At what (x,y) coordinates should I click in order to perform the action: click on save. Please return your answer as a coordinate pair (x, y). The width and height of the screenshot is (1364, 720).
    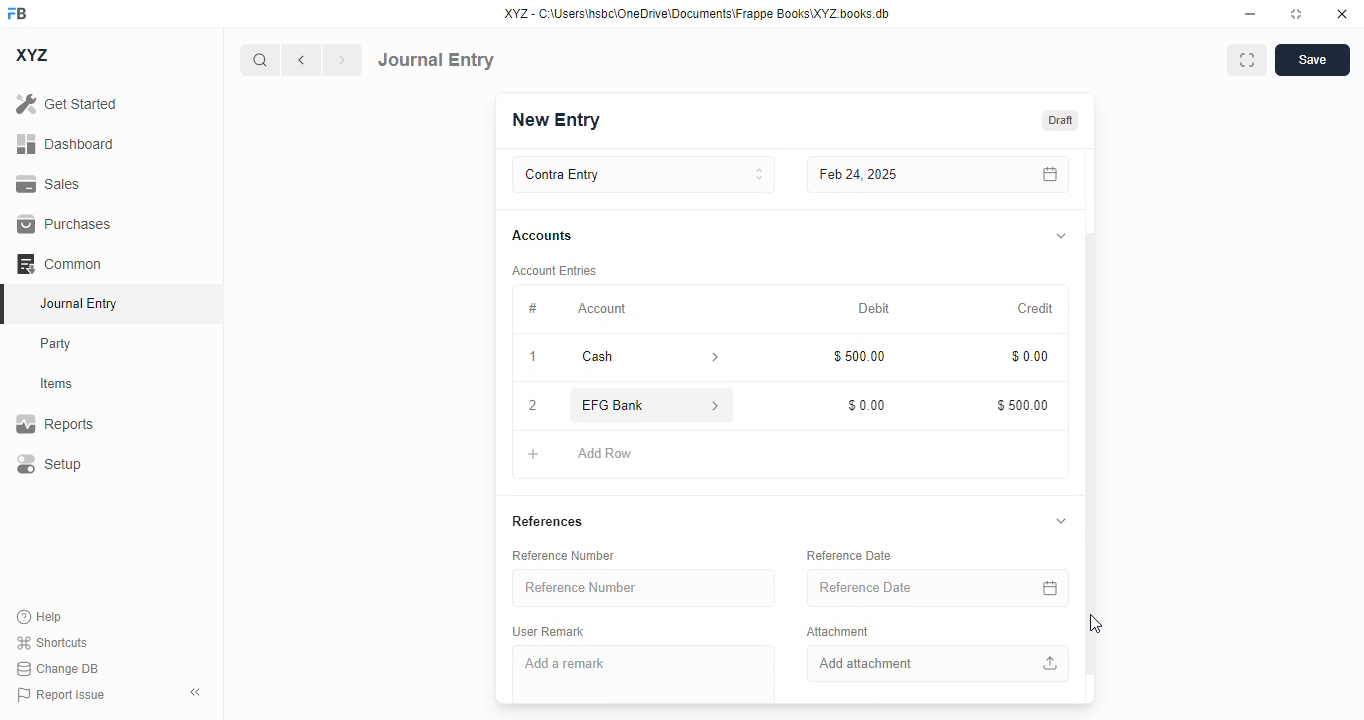
    Looking at the image, I should click on (1312, 60).